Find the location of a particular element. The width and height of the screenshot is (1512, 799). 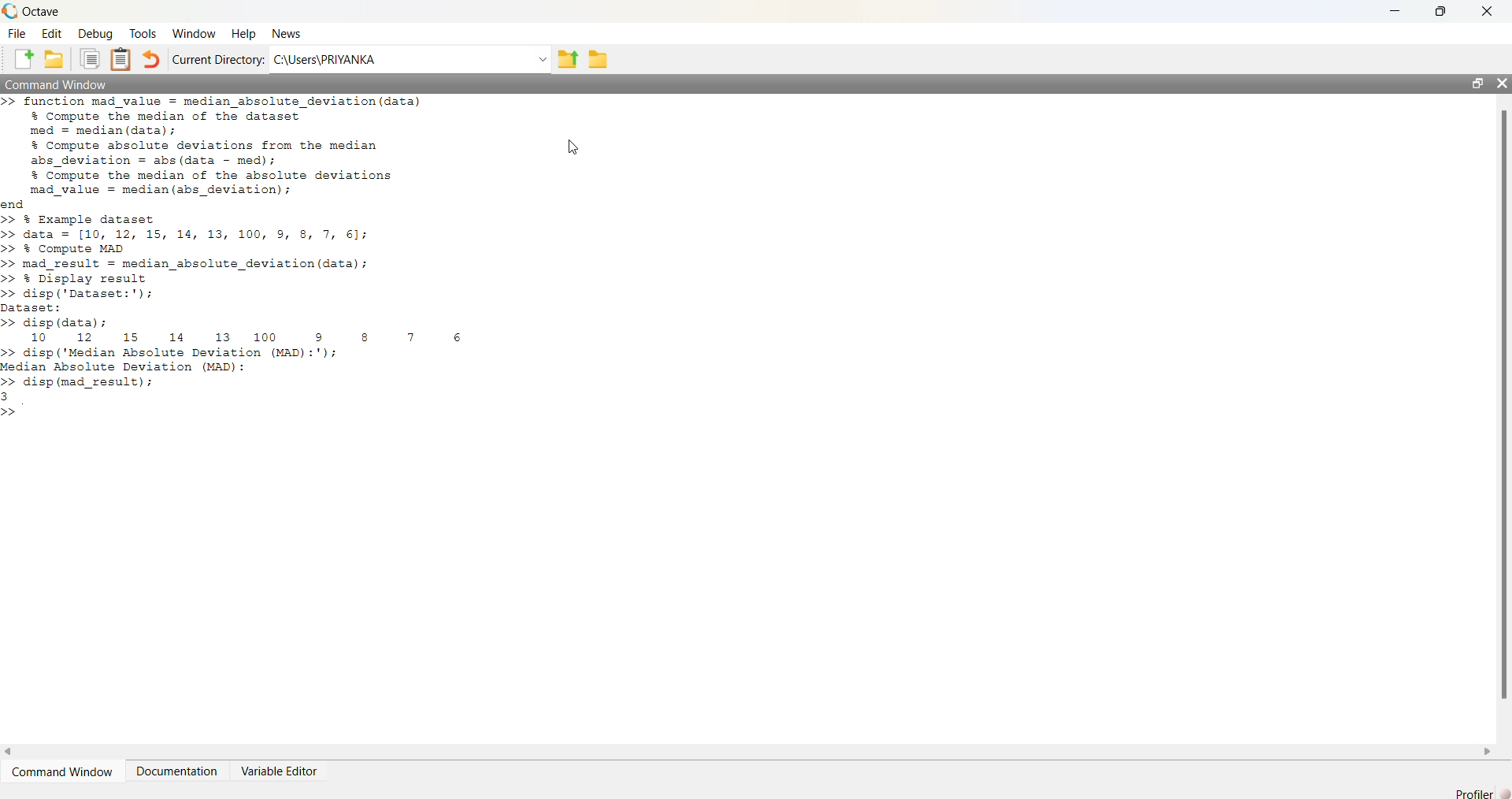

Variable Editor is located at coordinates (278, 771).